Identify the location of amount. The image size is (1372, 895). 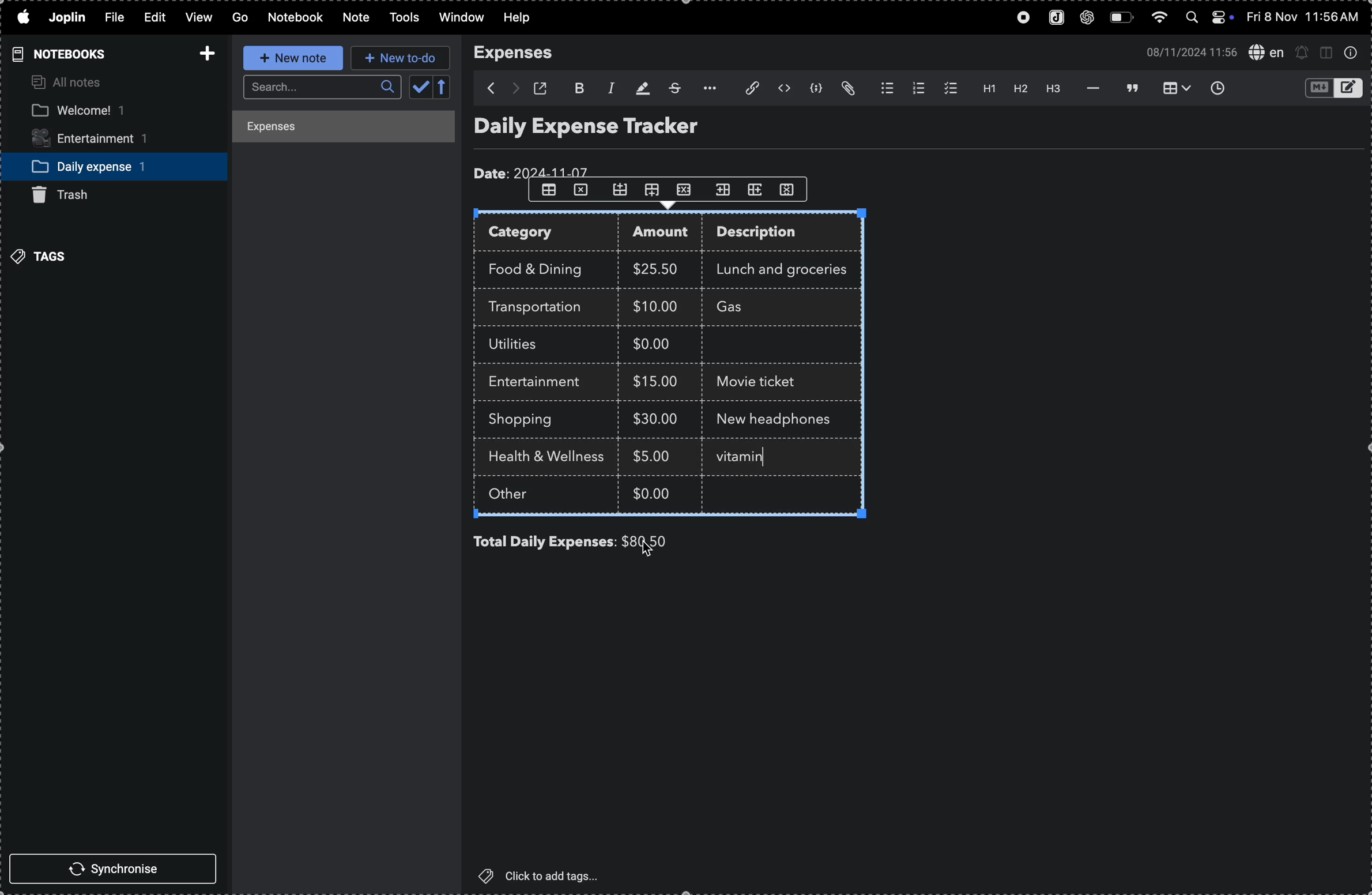
(665, 234).